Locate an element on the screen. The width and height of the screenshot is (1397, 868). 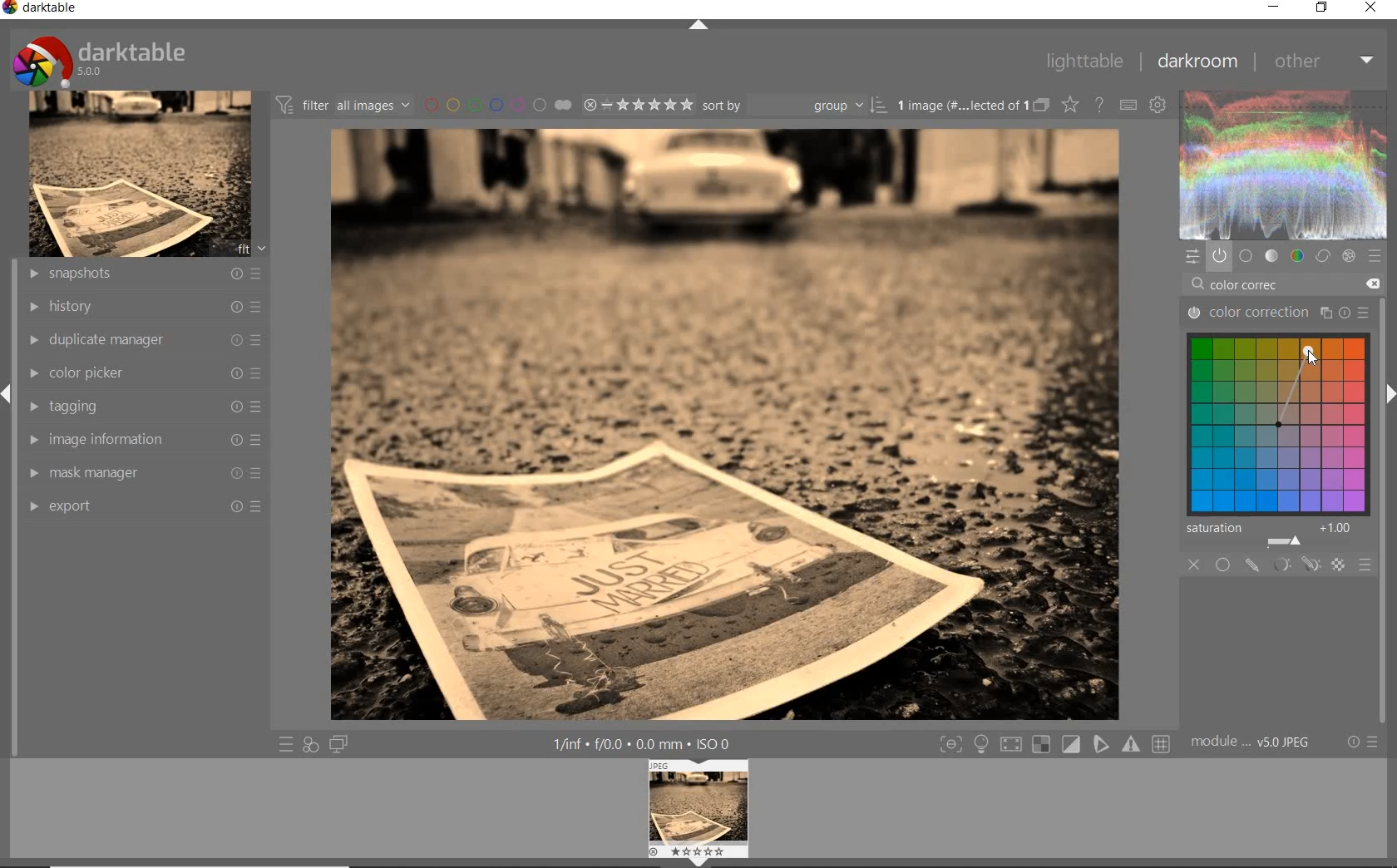
toggle modes is located at coordinates (1056, 742).